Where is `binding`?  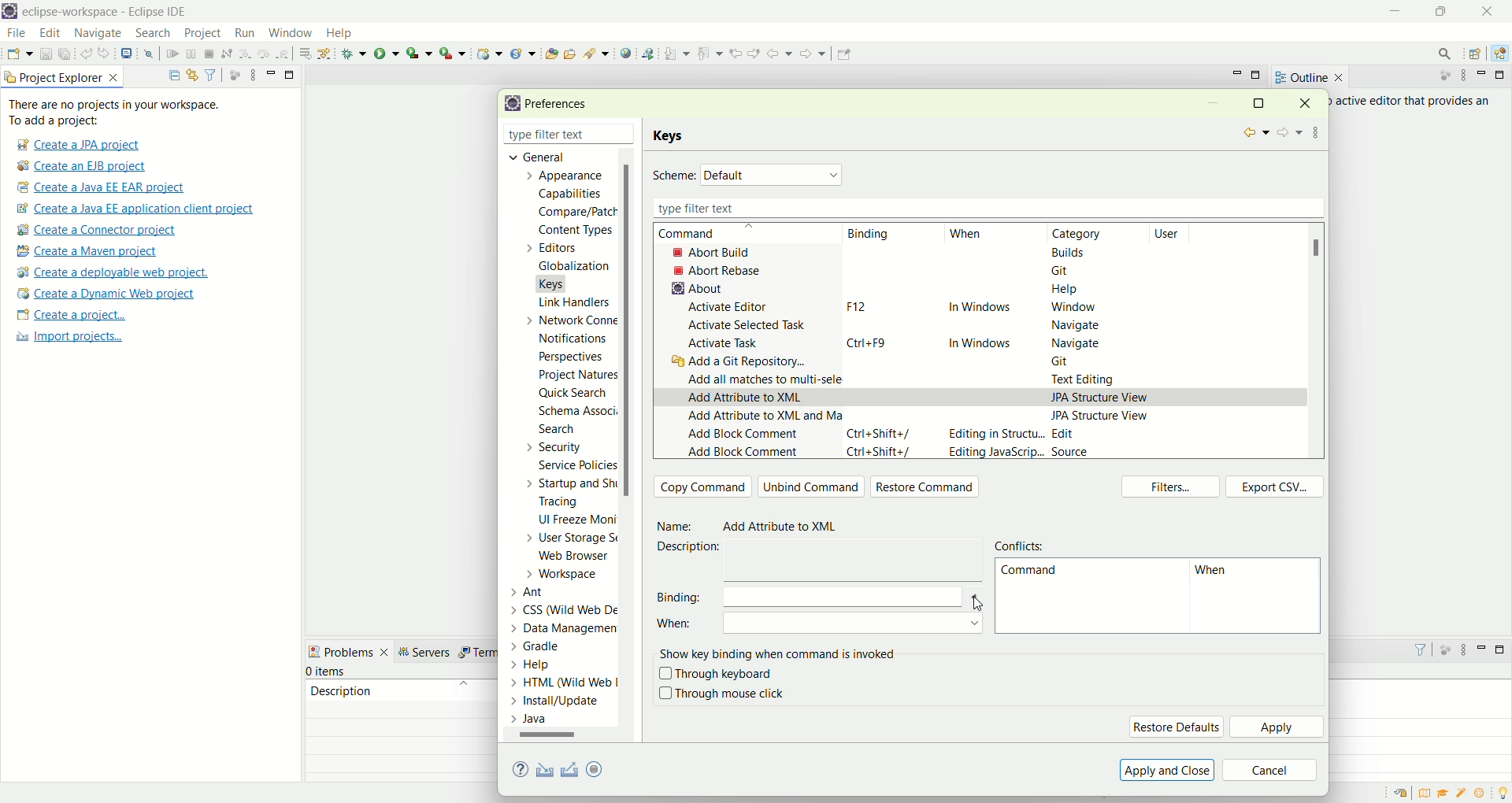 binding is located at coordinates (821, 596).